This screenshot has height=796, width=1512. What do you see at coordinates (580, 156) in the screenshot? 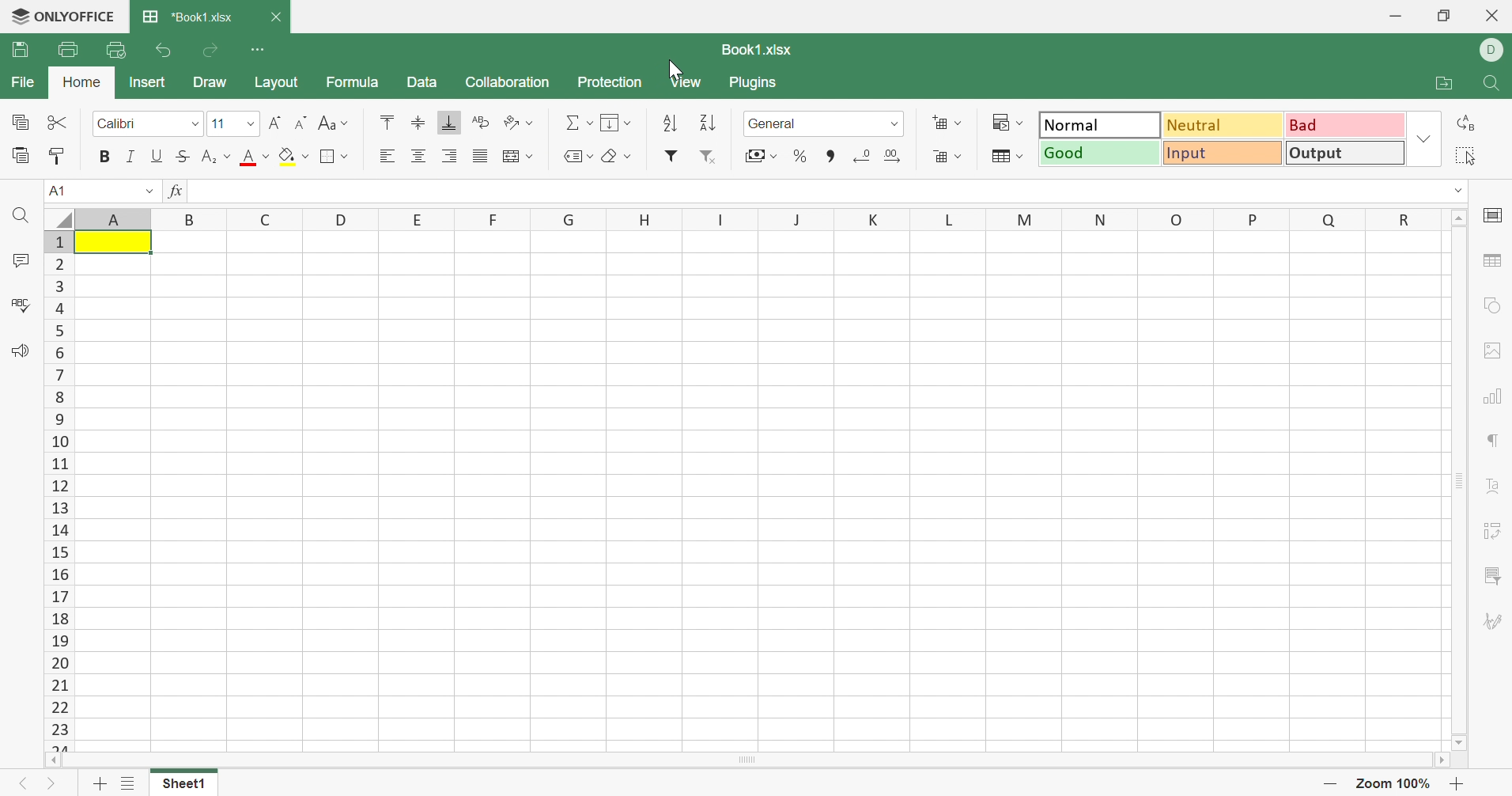
I see `Named ranges` at bounding box center [580, 156].